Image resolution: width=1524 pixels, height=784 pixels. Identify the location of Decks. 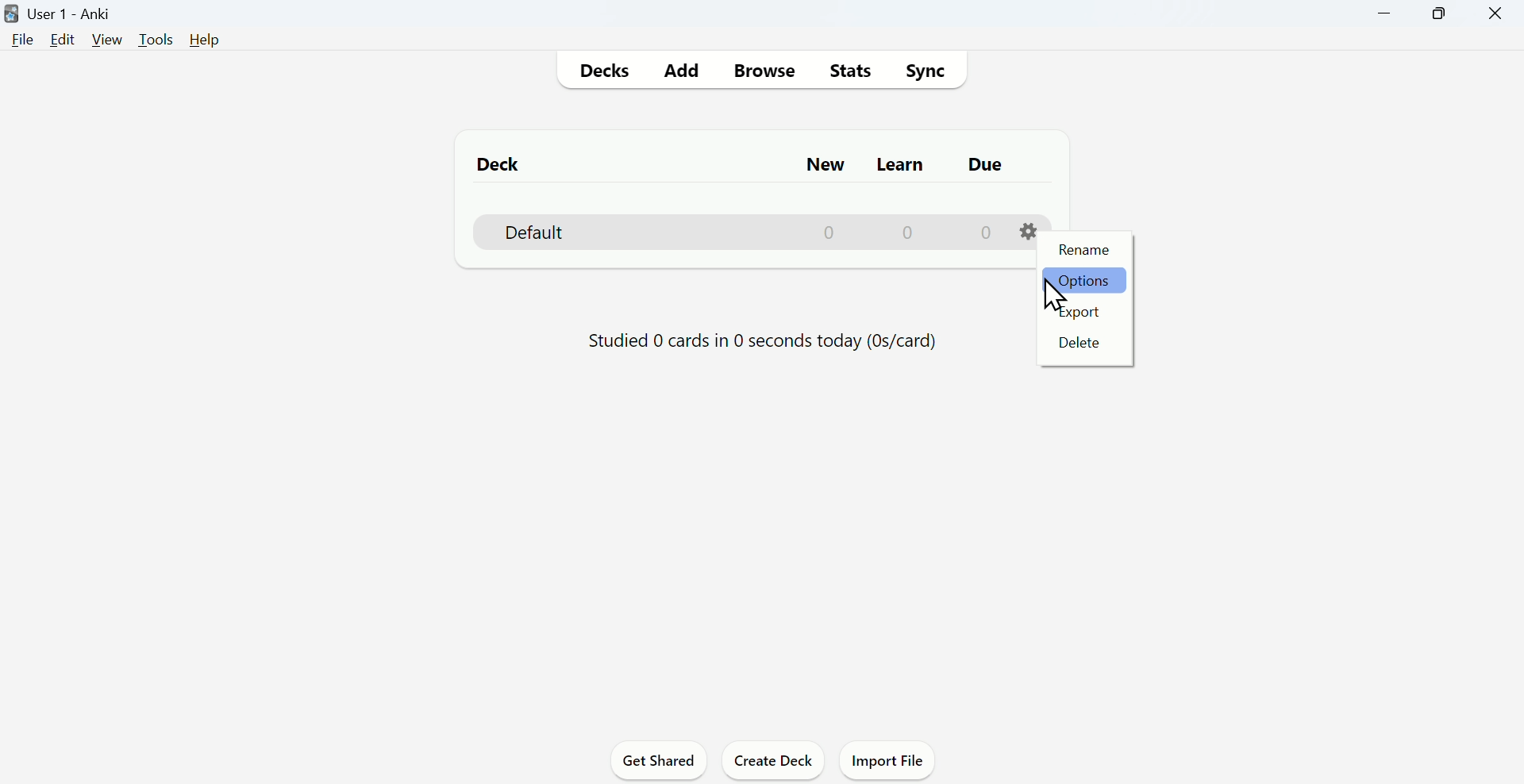
(601, 73).